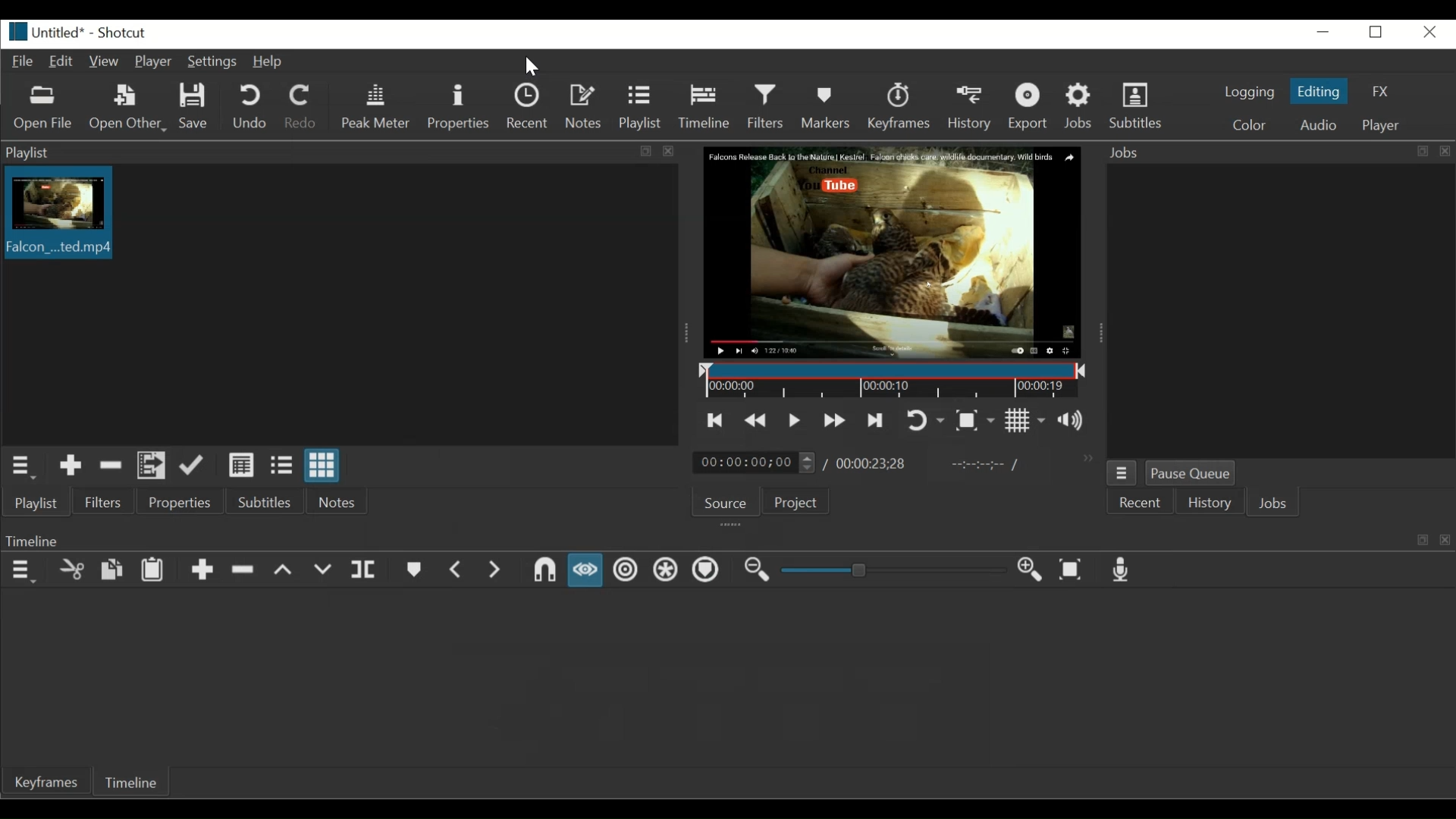 The image size is (1456, 819). I want to click on Markers, so click(825, 105).